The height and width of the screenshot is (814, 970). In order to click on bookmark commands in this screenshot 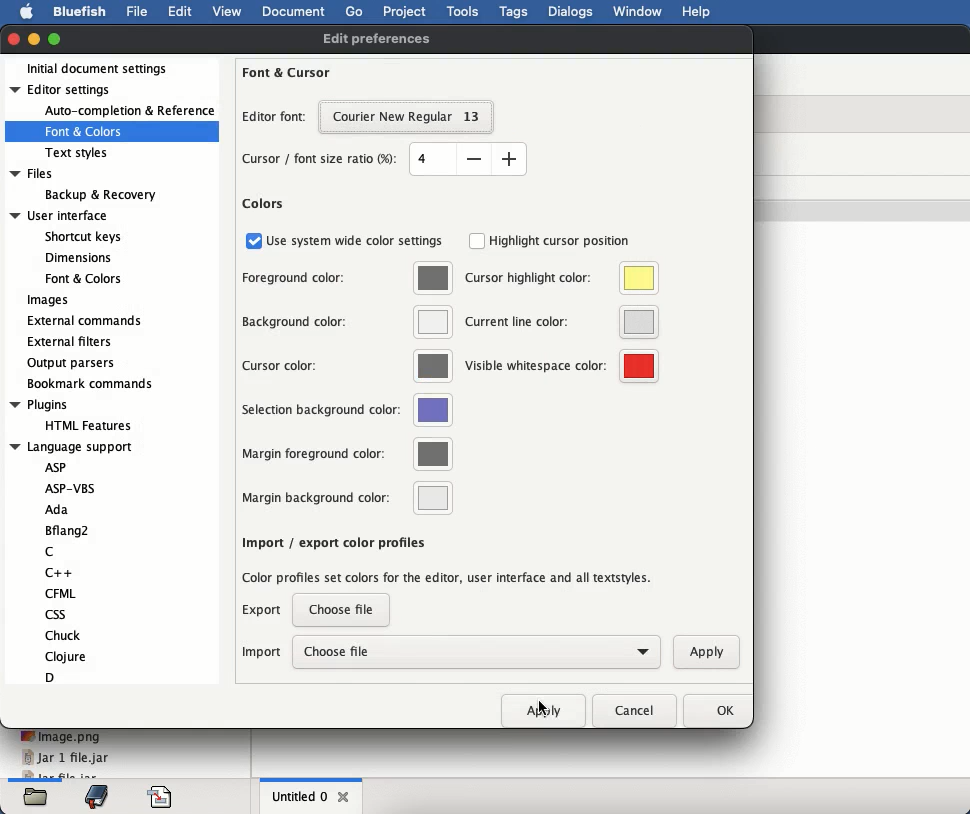, I will do `click(90, 384)`.